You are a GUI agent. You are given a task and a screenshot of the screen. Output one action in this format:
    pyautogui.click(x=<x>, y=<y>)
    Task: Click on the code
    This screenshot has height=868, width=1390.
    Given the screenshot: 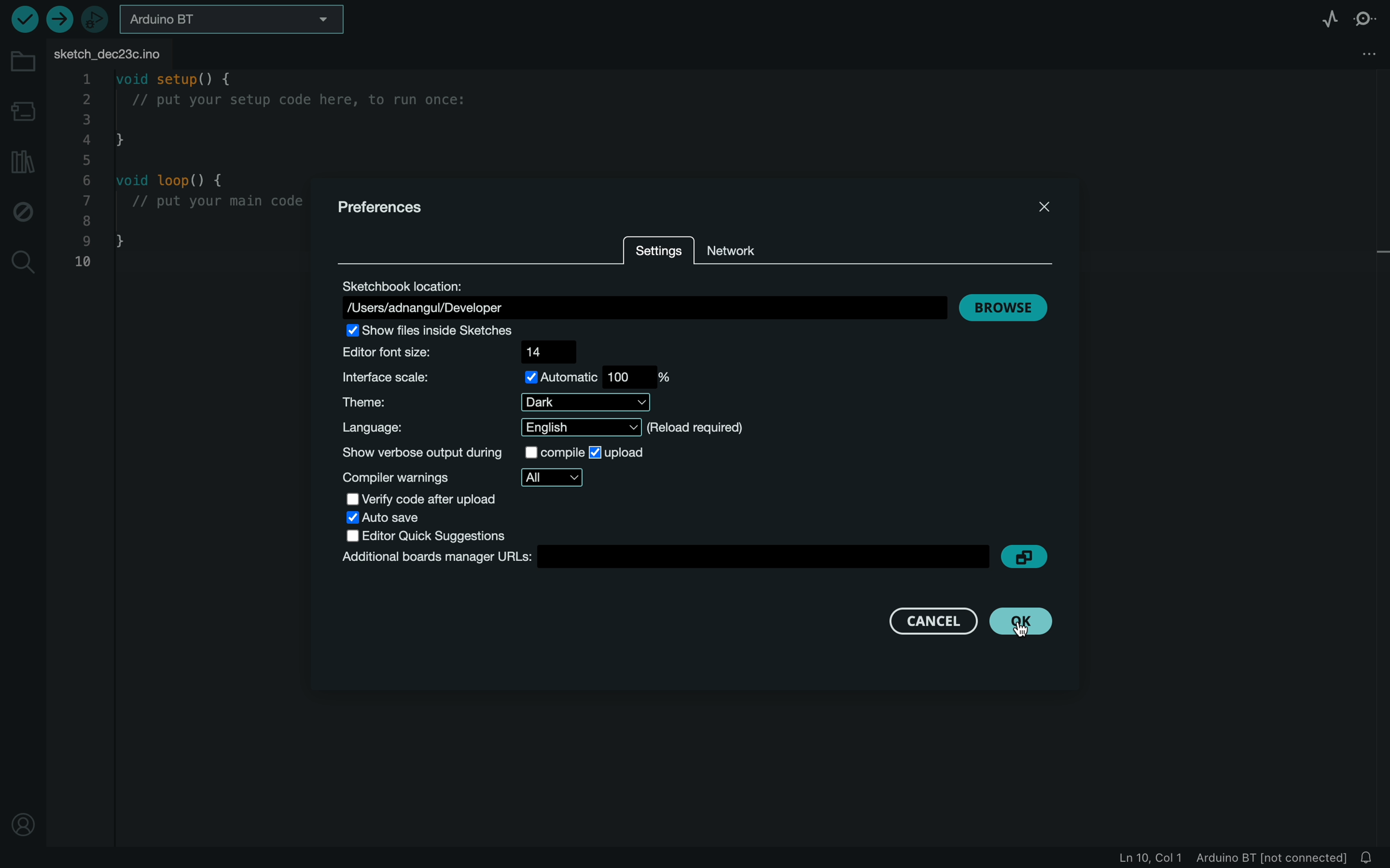 What is the action you would take?
    pyautogui.click(x=177, y=169)
    